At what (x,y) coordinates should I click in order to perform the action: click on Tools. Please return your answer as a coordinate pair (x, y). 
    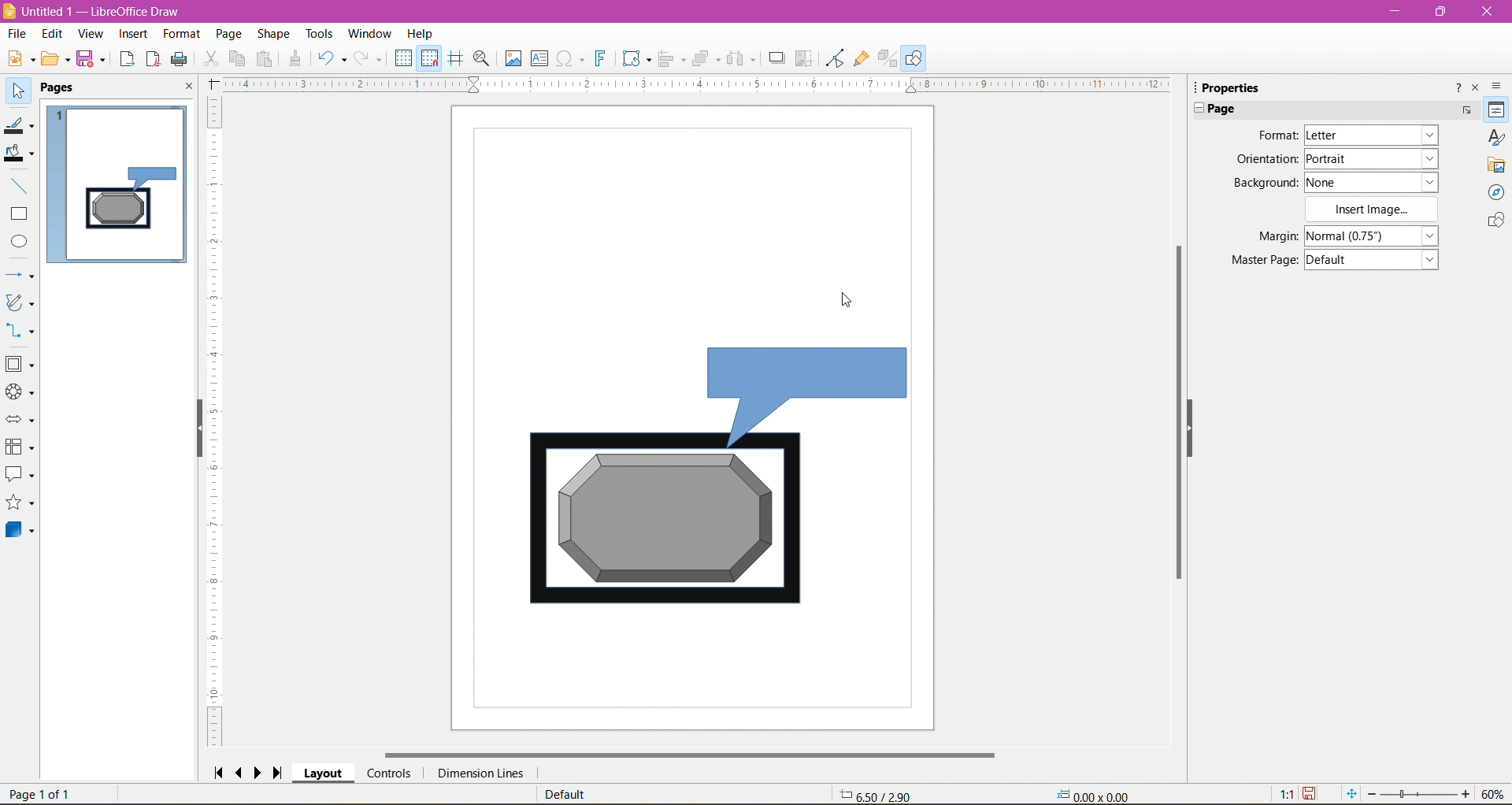
    Looking at the image, I should click on (314, 32).